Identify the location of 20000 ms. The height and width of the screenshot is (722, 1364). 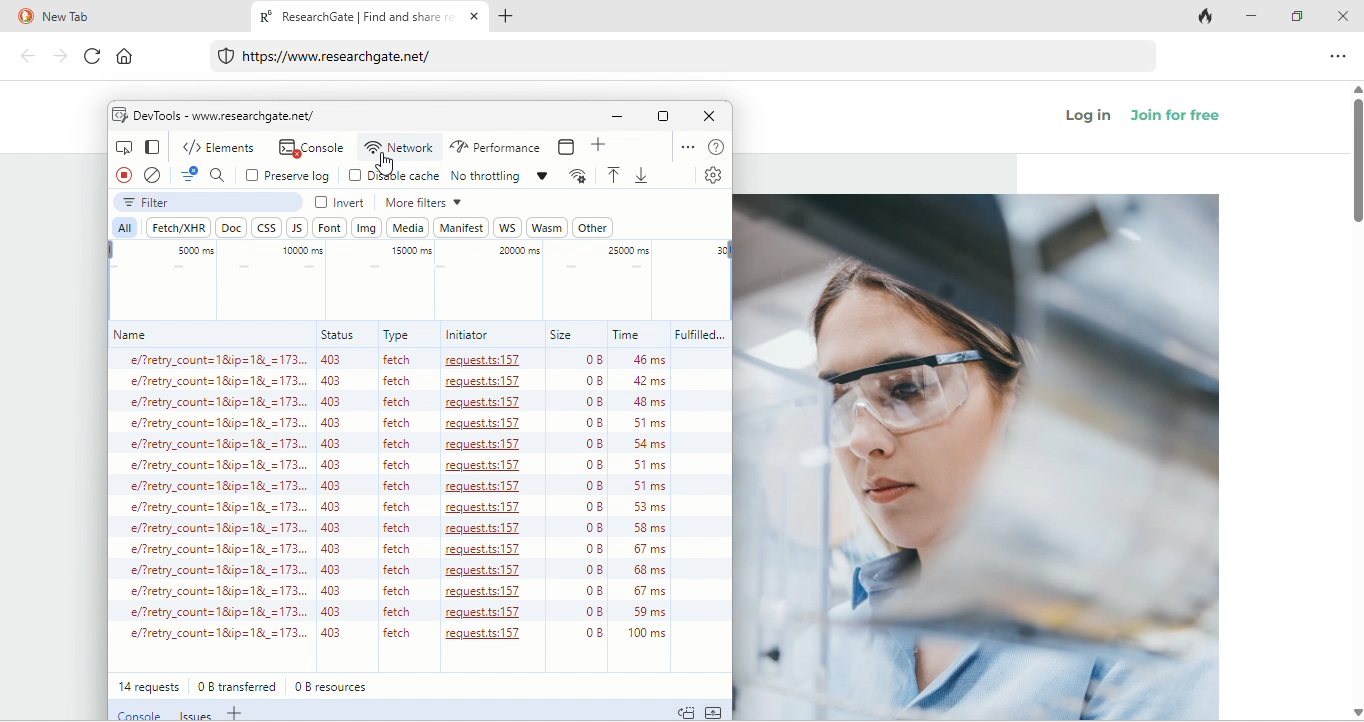
(516, 252).